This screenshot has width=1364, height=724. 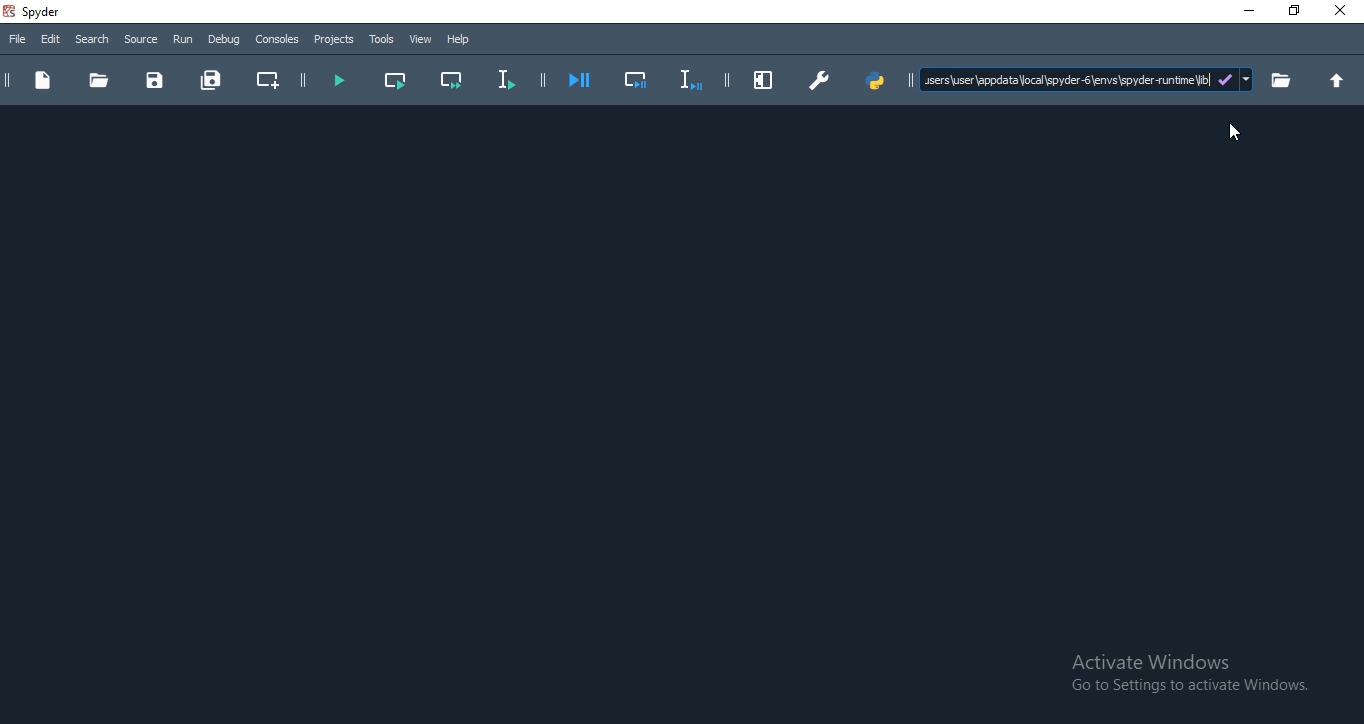 I want to click on View, so click(x=422, y=39).